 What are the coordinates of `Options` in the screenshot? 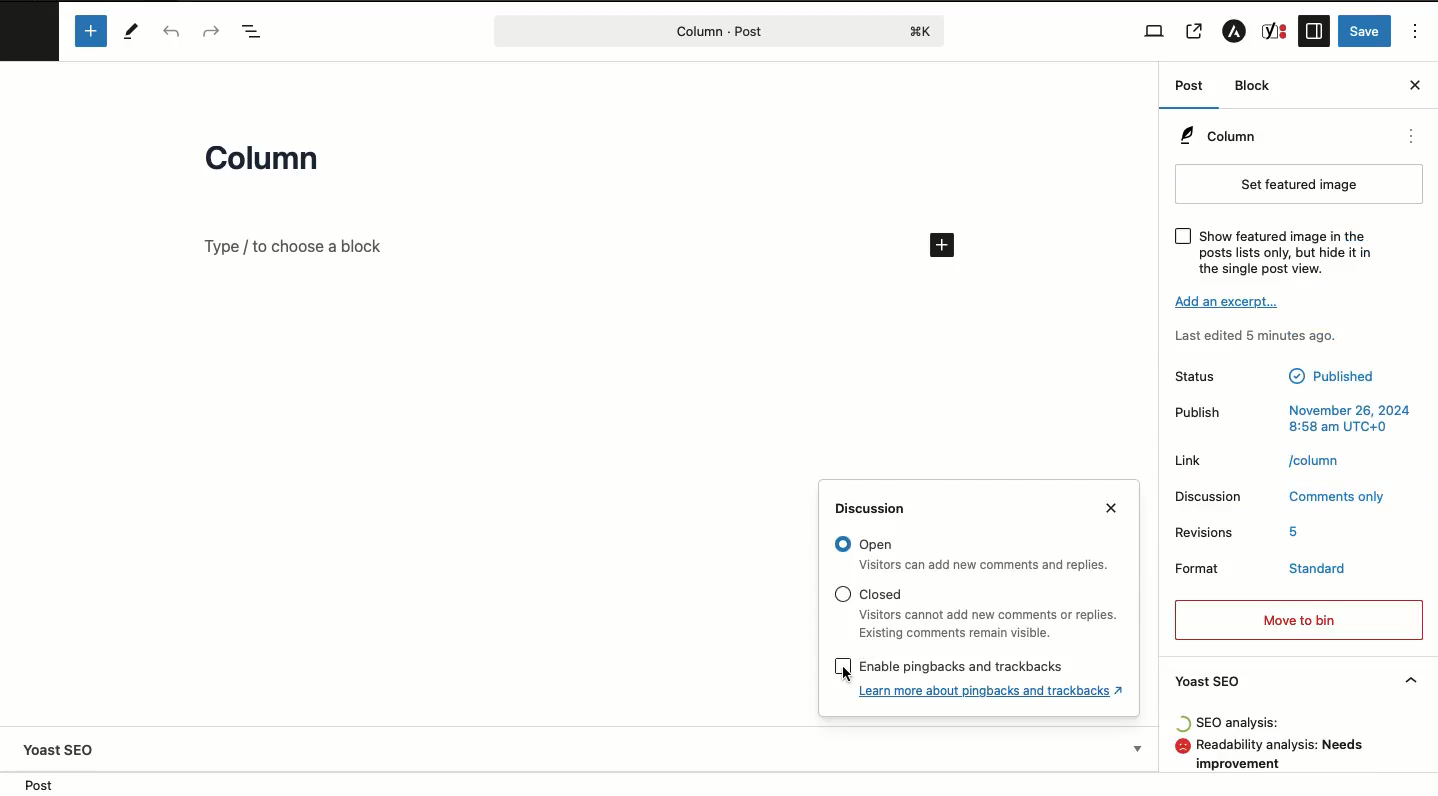 It's located at (1418, 32).